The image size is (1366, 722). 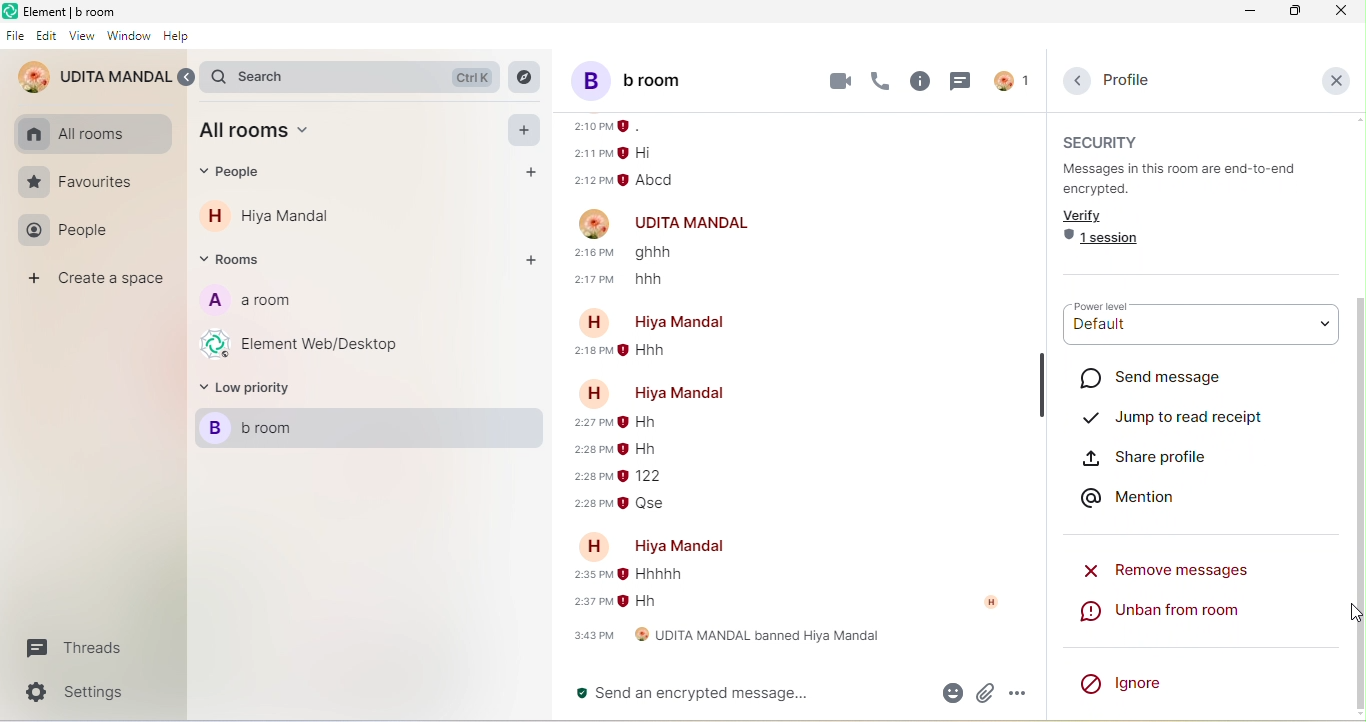 I want to click on window, so click(x=130, y=38).